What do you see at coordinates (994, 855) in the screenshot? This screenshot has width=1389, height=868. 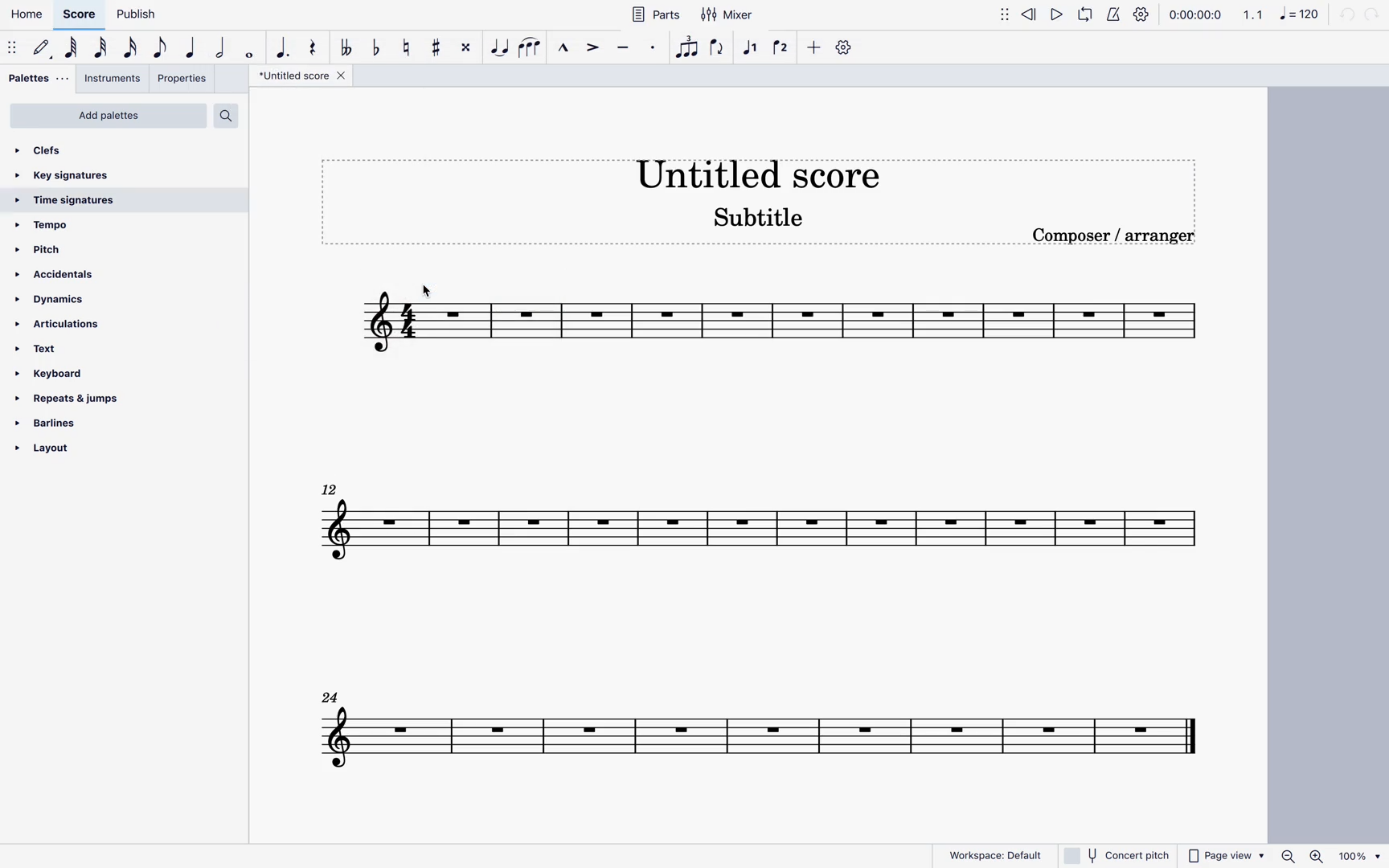 I see `workspace: default` at bounding box center [994, 855].